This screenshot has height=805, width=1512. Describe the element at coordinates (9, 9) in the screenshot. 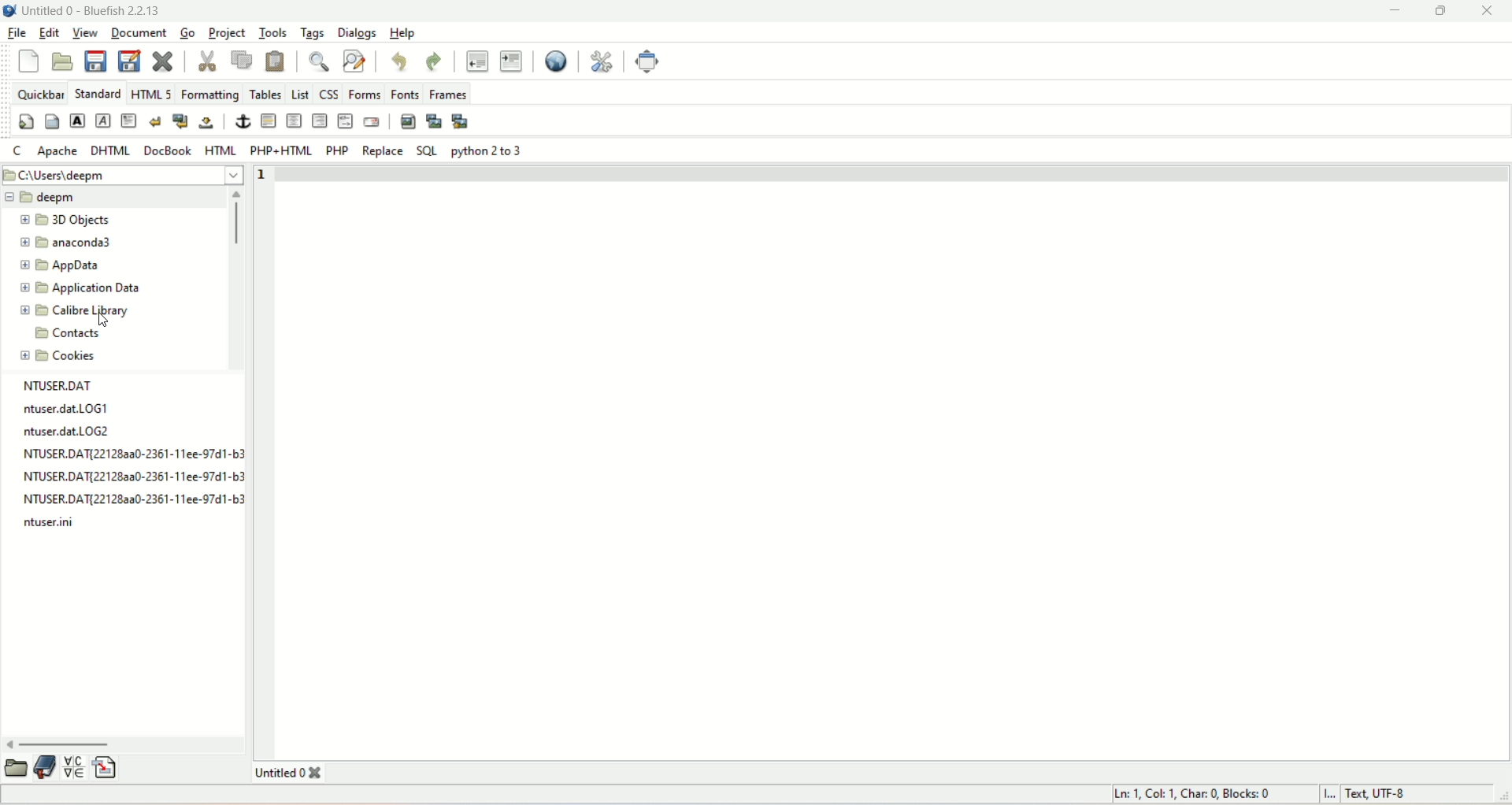

I see `logo` at that location.